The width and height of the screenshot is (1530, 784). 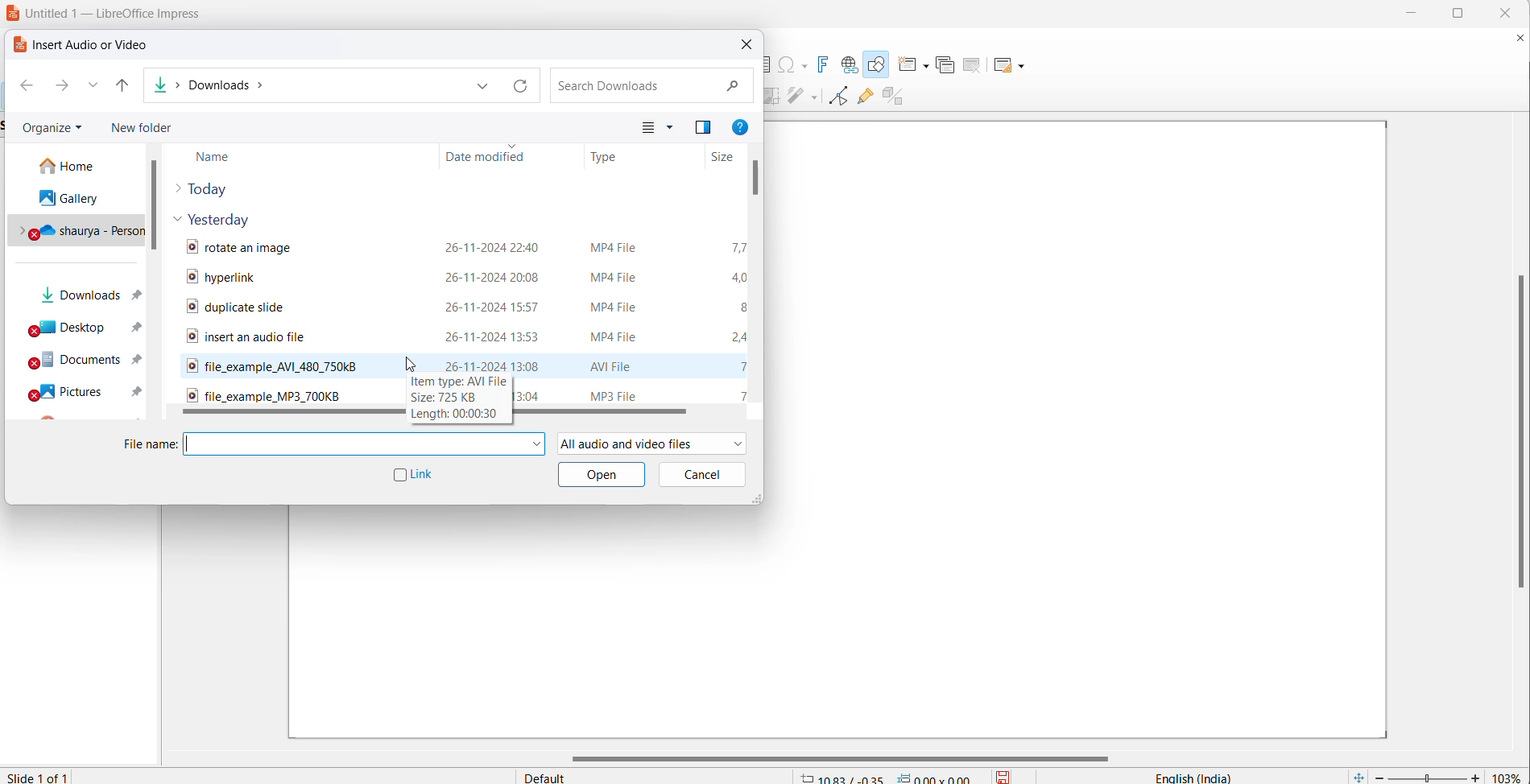 What do you see at coordinates (734, 303) in the screenshot?
I see `video file size` at bounding box center [734, 303].